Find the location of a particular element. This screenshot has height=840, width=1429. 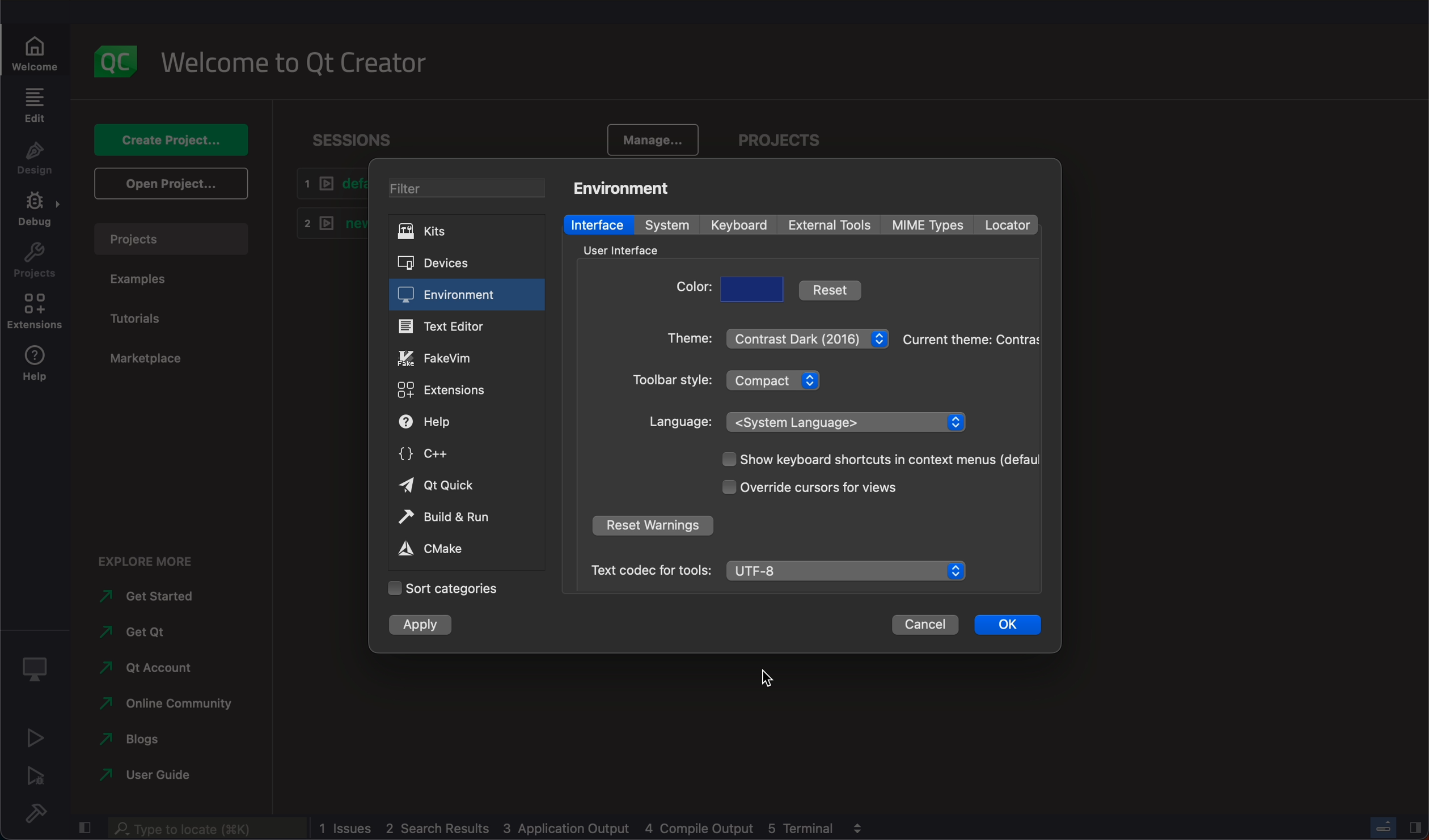

run is located at coordinates (37, 736).